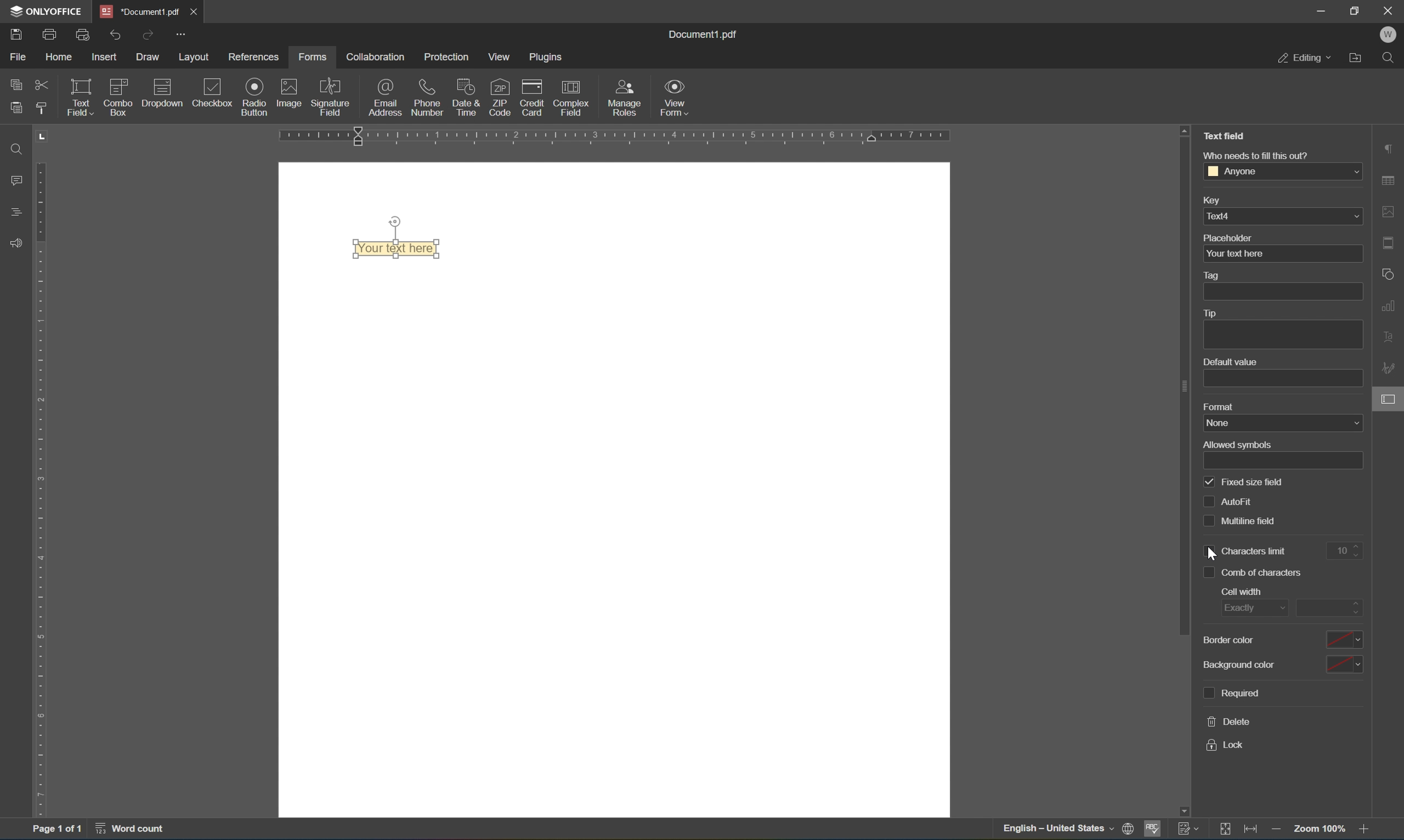 This screenshot has width=1404, height=840. What do you see at coordinates (1389, 398) in the screenshot?
I see `form settings` at bounding box center [1389, 398].